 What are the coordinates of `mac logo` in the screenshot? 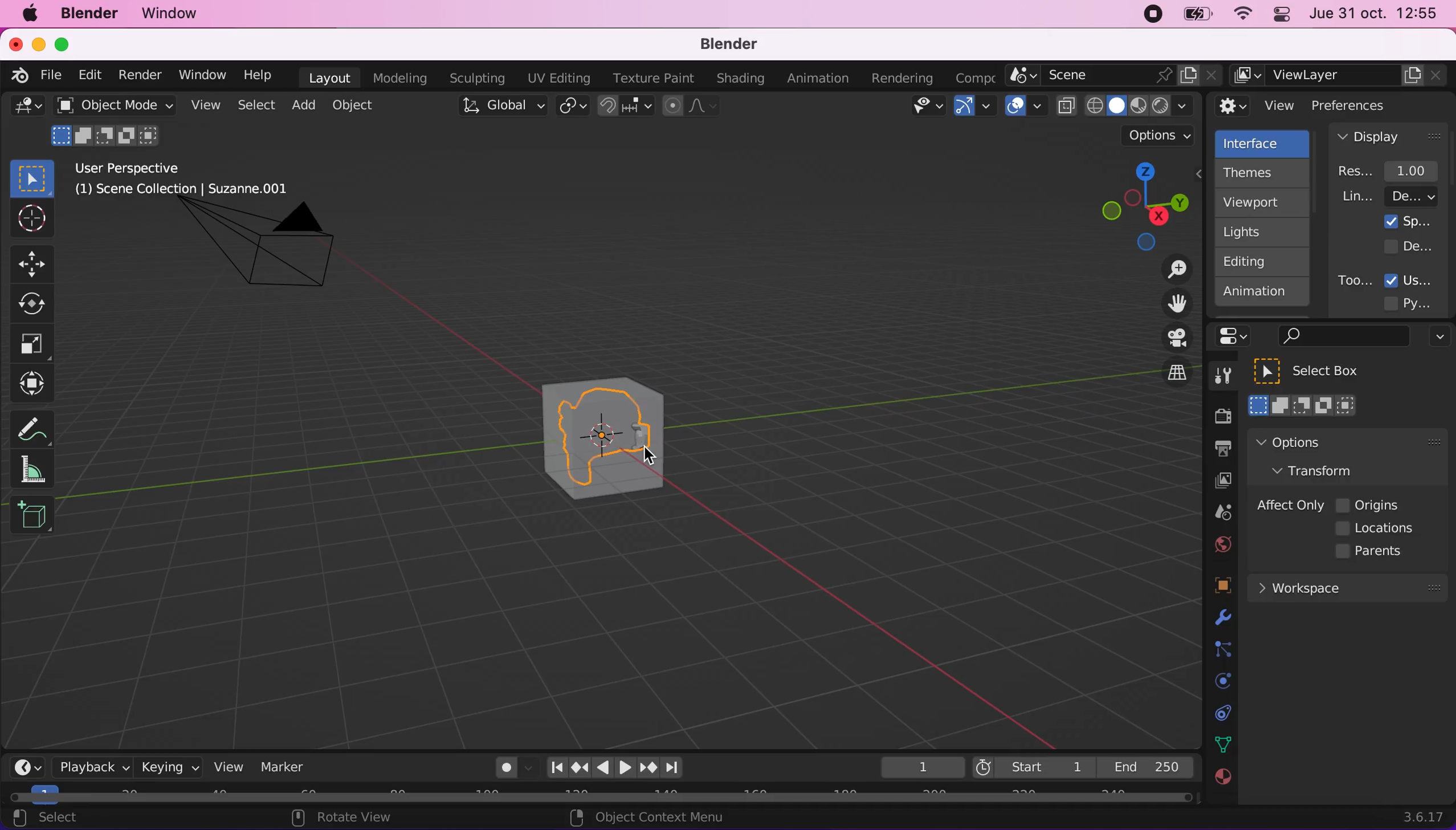 It's located at (29, 15).